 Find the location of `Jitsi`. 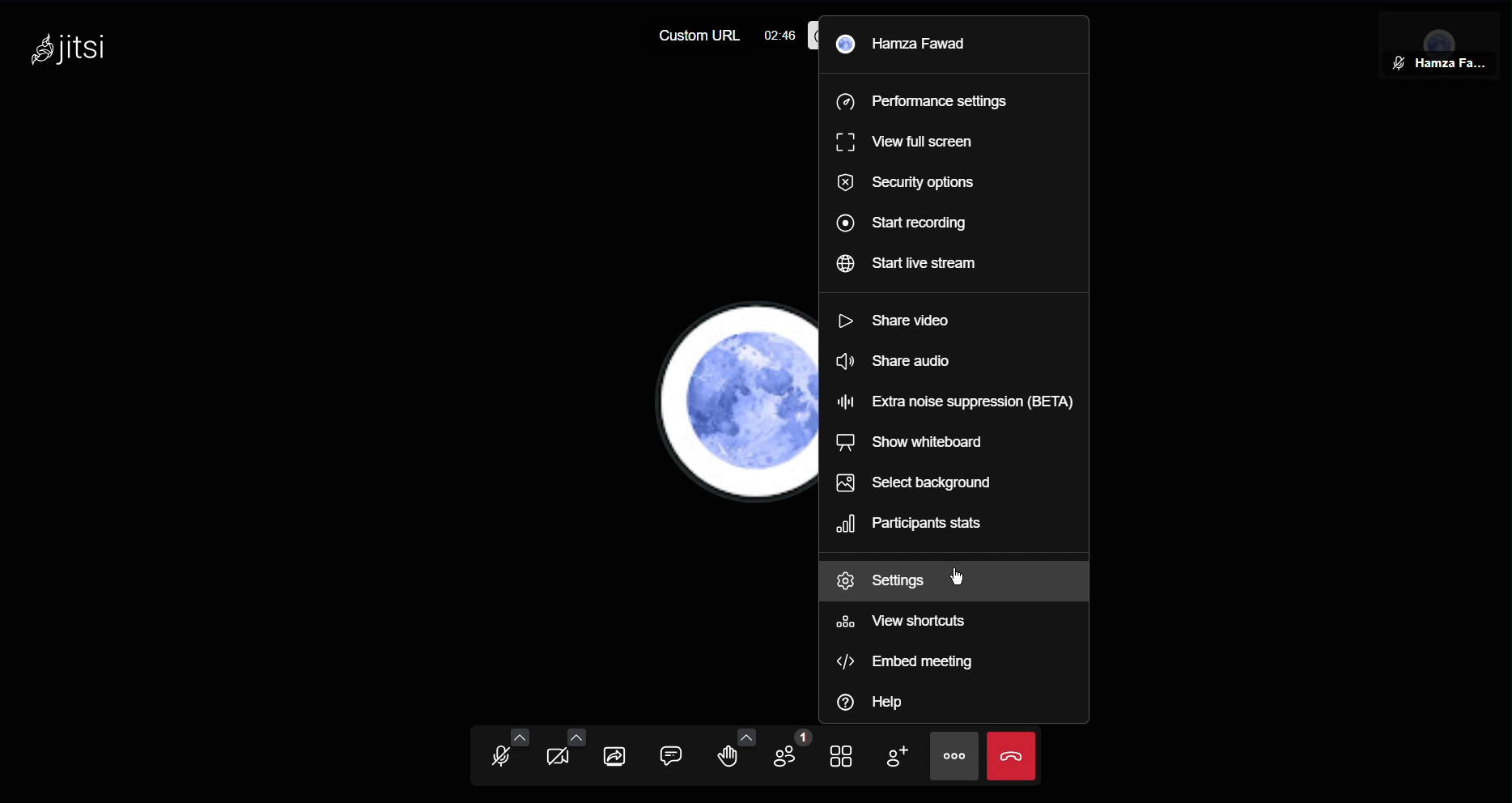

Jitsi is located at coordinates (75, 49).